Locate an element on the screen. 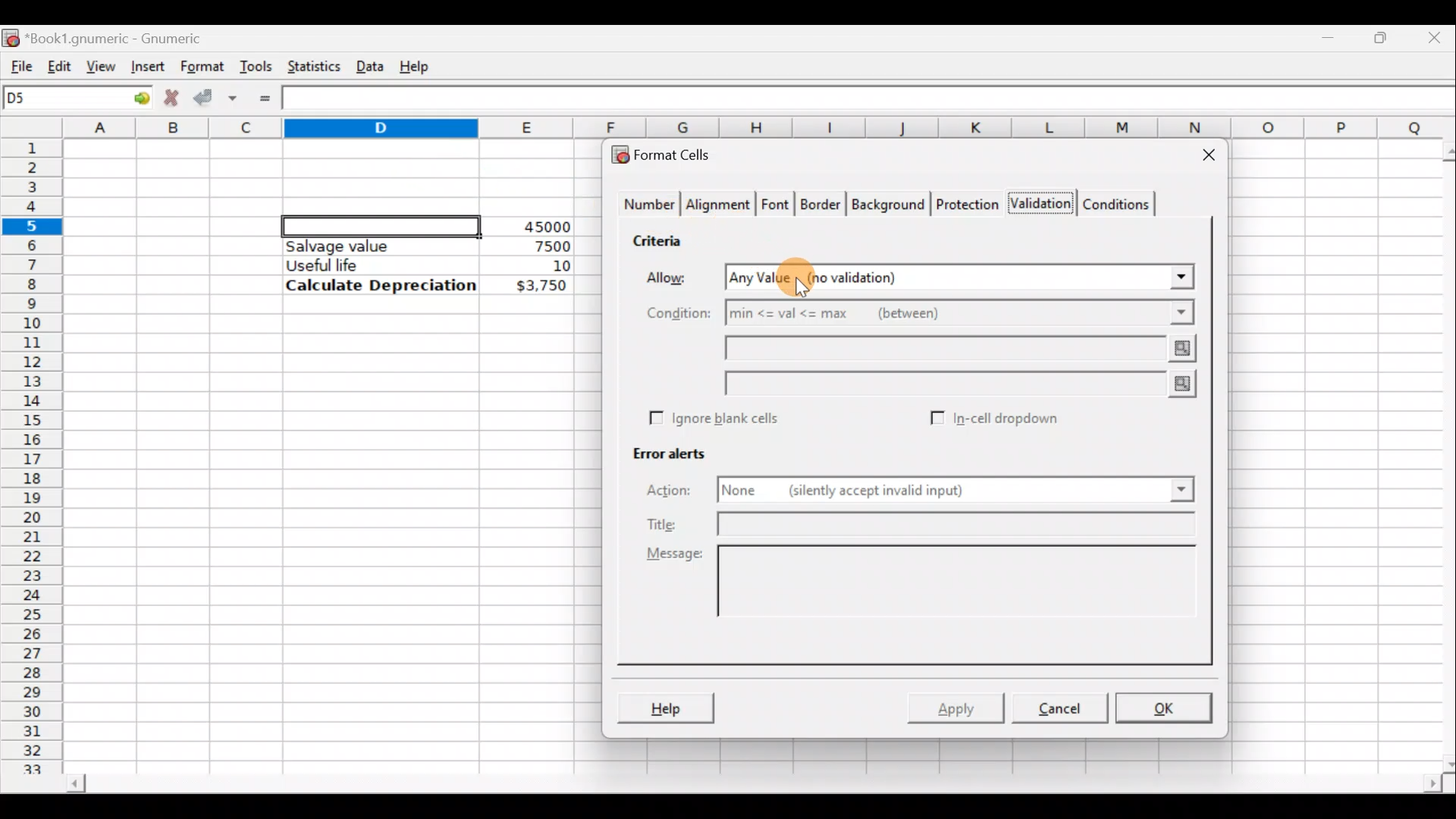 The height and width of the screenshot is (819, 1456). Enter formula is located at coordinates (265, 99).